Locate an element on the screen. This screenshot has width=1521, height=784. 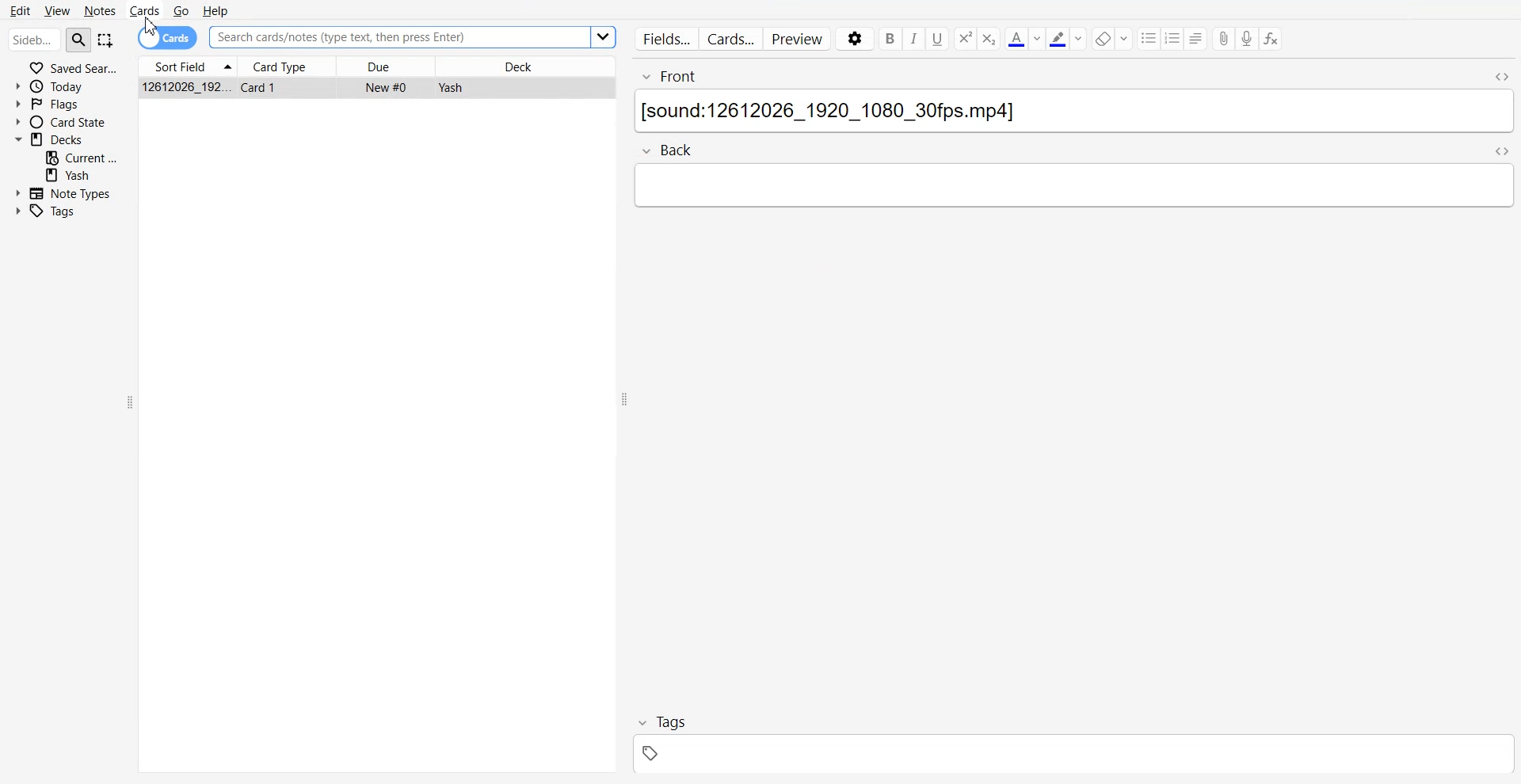
Text Color is located at coordinates (1024, 38).